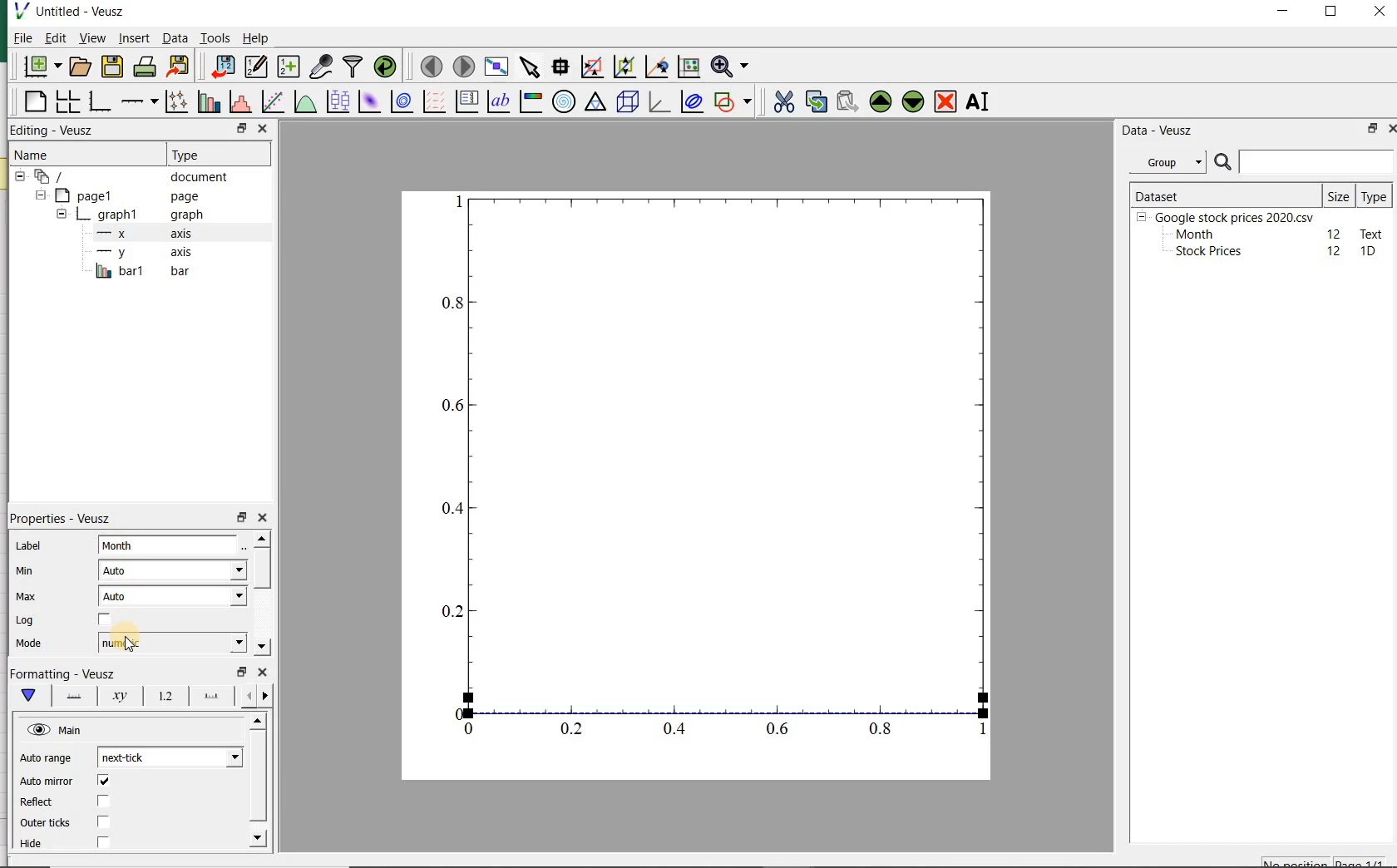 The width and height of the screenshot is (1397, 868). Describe the element at coordinates (173, 596) in the screenshot. I see `Auto` at that location.